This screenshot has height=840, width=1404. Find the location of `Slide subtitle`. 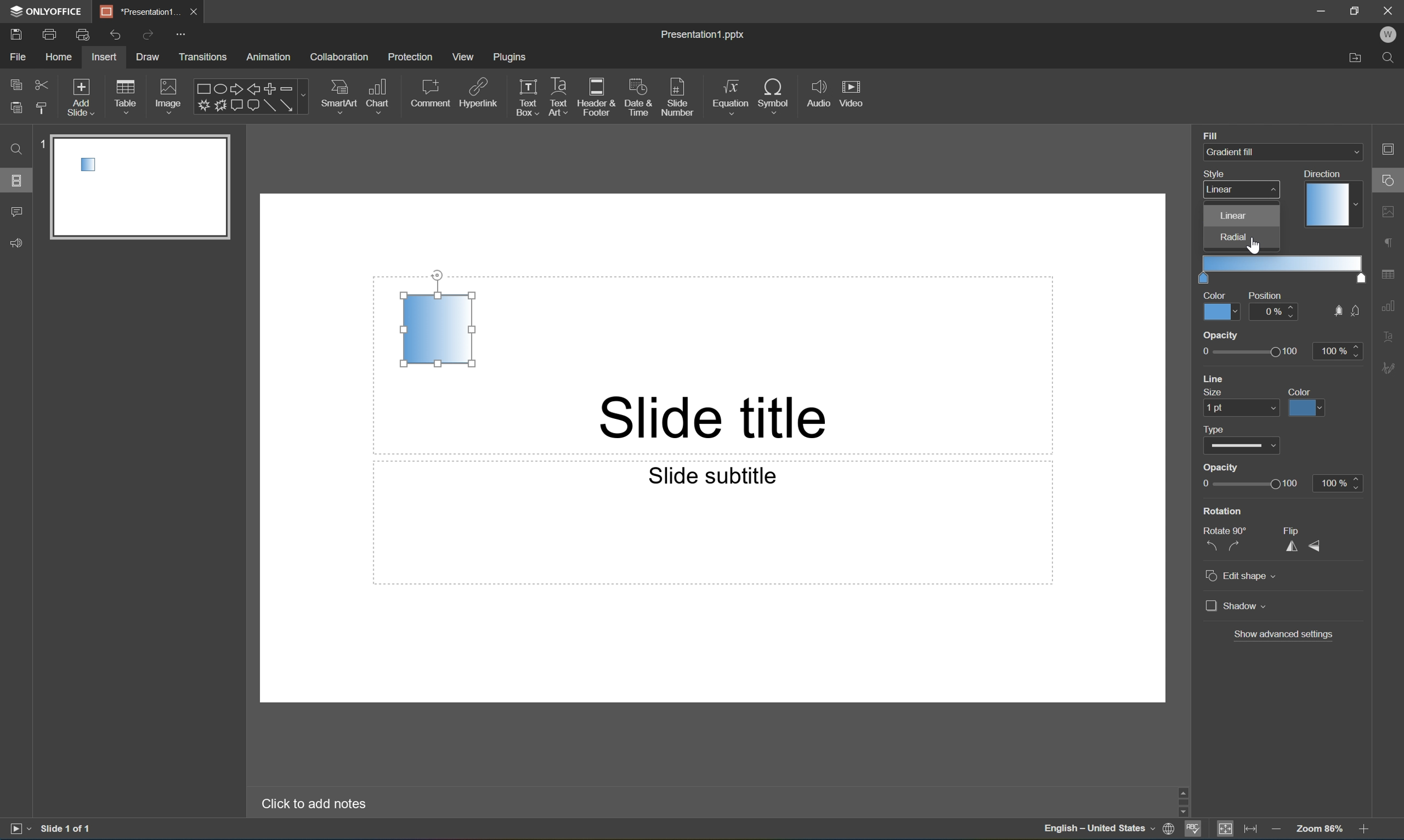

Slide subtitle is located at coordinates (713, 477).